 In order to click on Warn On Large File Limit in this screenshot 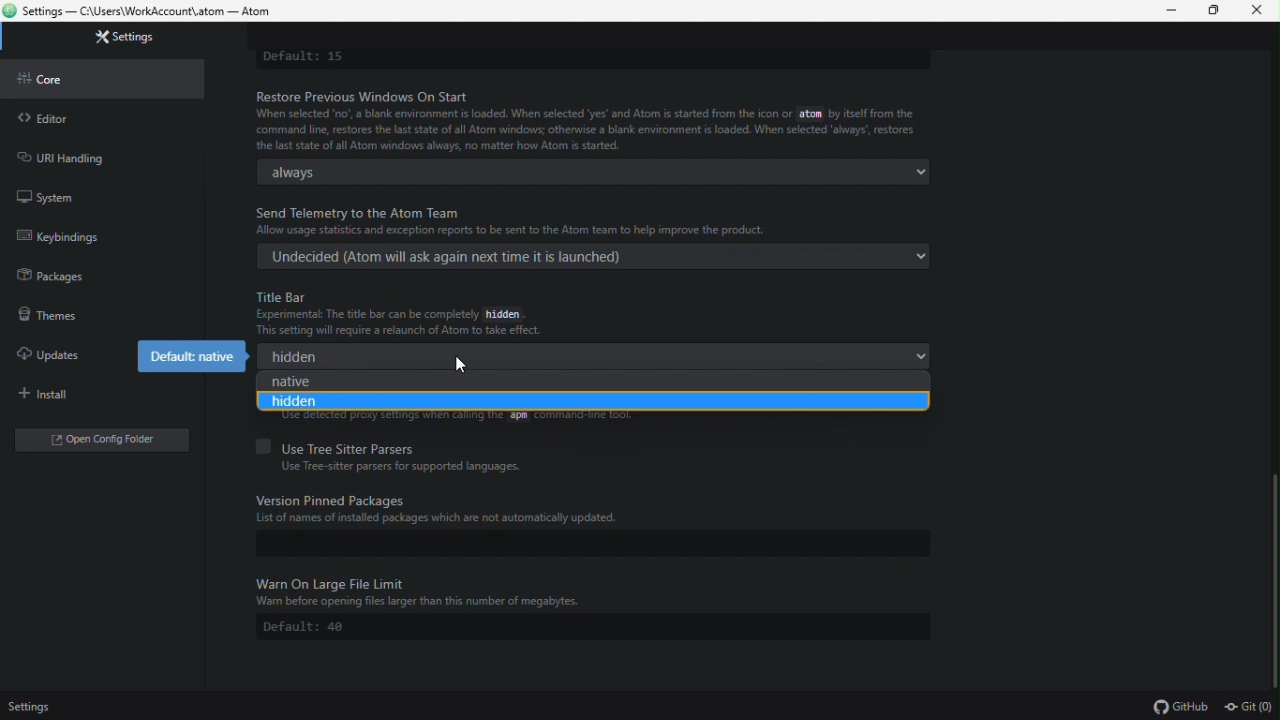, I will do `click(334, 582)`.